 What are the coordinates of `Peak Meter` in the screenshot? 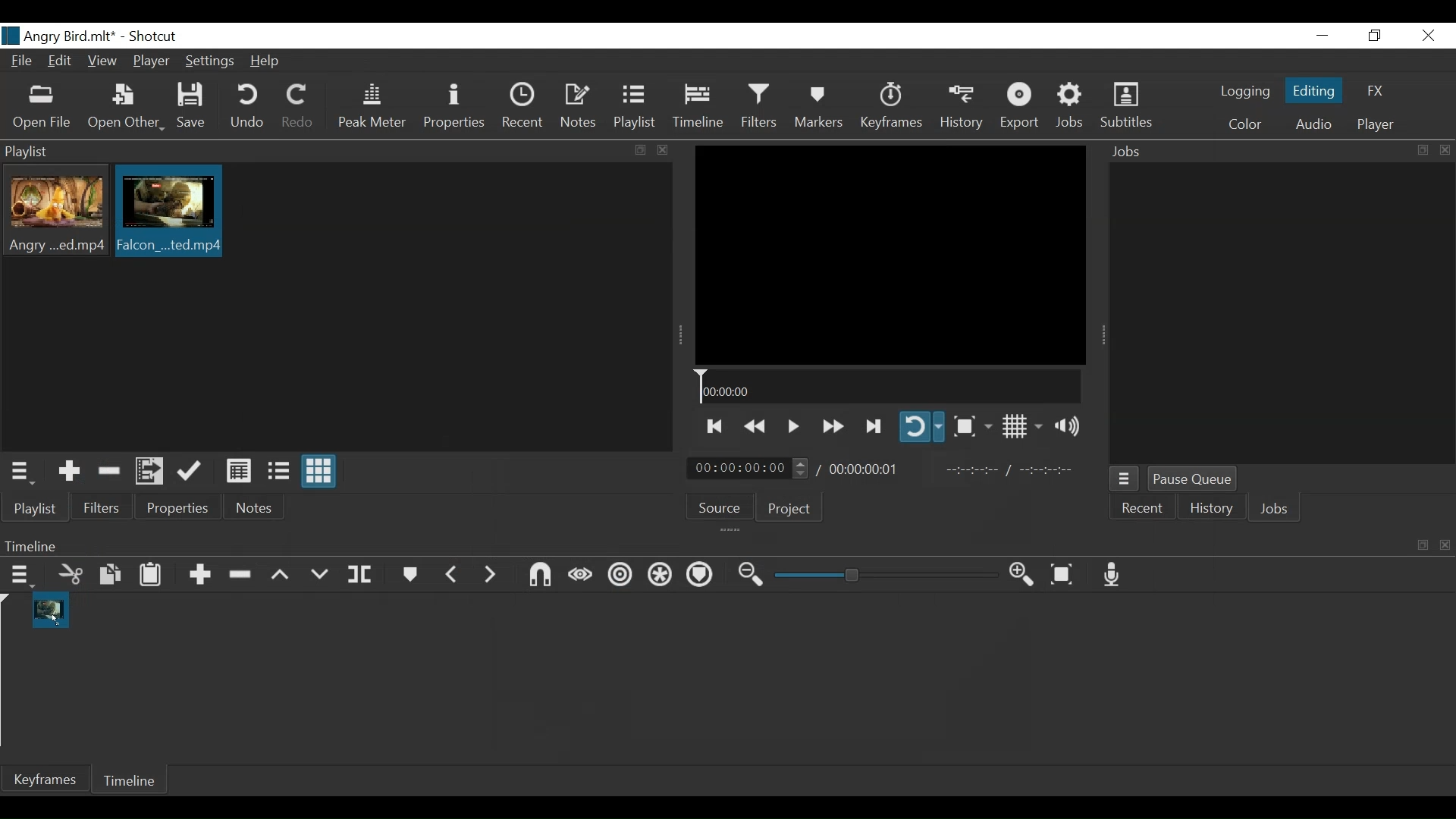 It's located at (375, 107).